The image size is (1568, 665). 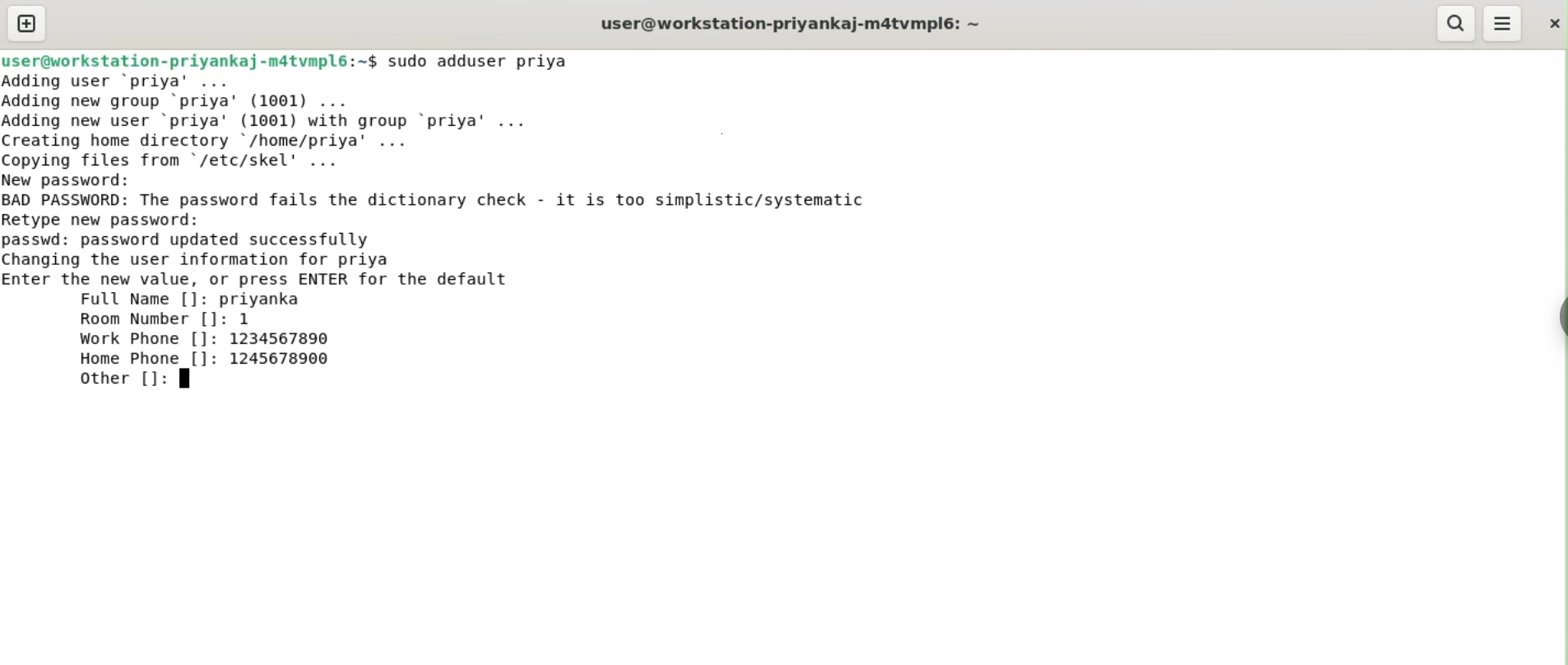 What do you see at coordinates (1552, 23) in the screenshot?
I see `close` at bounding box center [1552, 23].